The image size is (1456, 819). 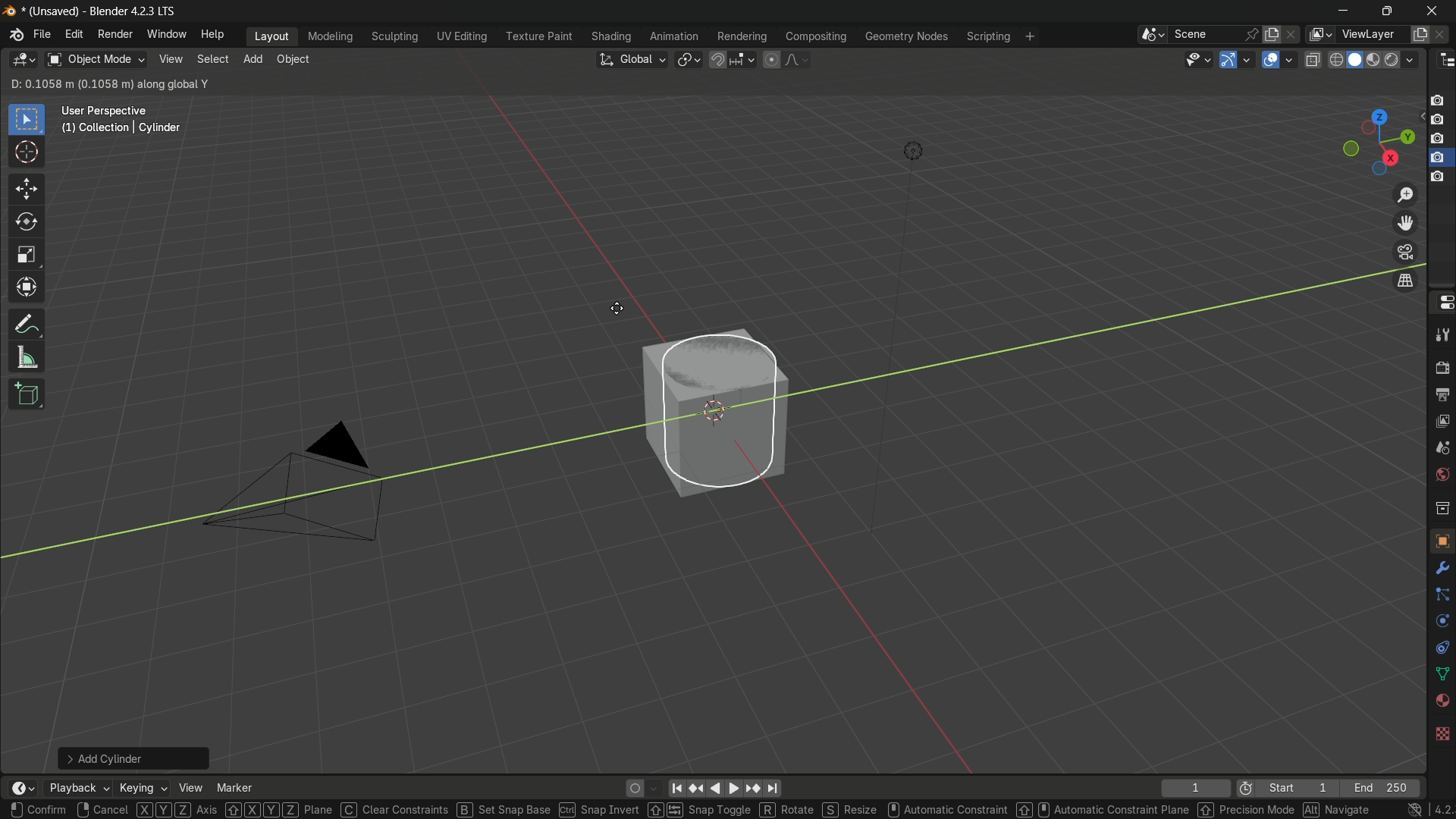 What do you see at coordinates (1442, 303) in the screenshot?
I see `properties` at bounding box center [1442, 303].